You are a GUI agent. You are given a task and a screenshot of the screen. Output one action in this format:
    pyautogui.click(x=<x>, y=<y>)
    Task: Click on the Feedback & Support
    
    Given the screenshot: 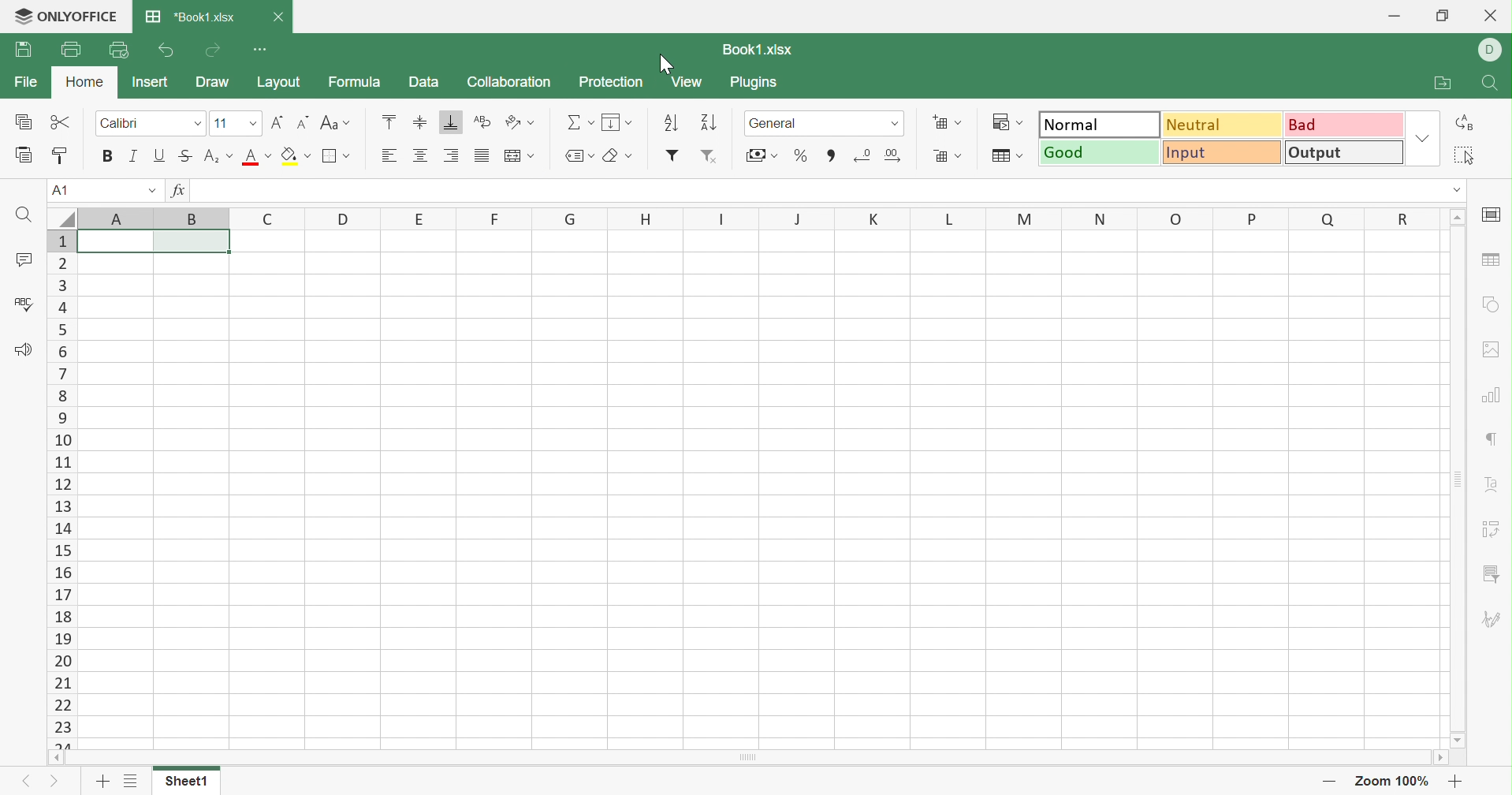 What is the action you would take?
    pyautogui.click(x=25, y=350)
    